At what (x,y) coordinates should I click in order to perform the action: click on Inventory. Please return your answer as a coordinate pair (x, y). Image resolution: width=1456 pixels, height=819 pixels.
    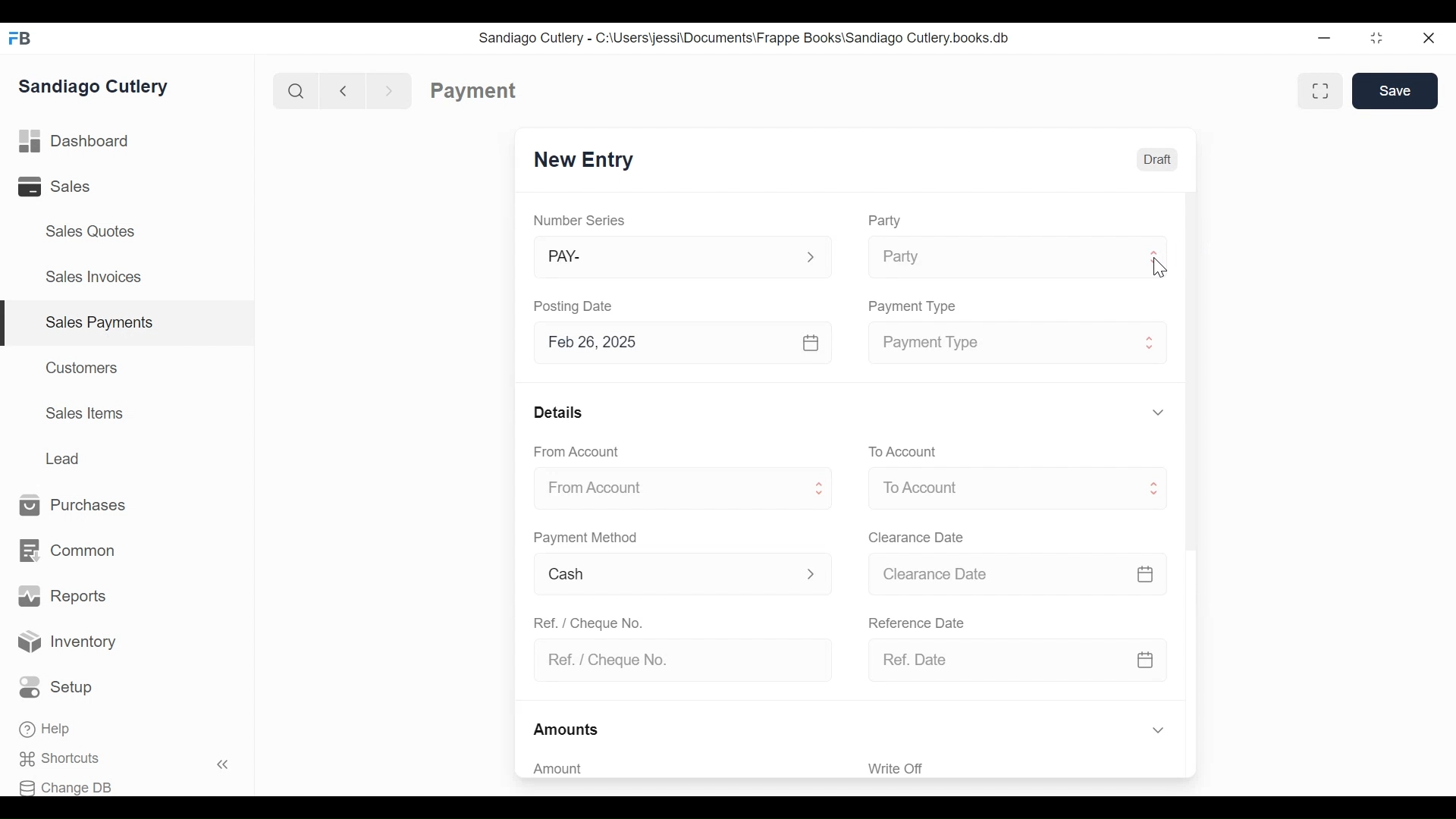
    Looking at the image, I should click on (68, 642).